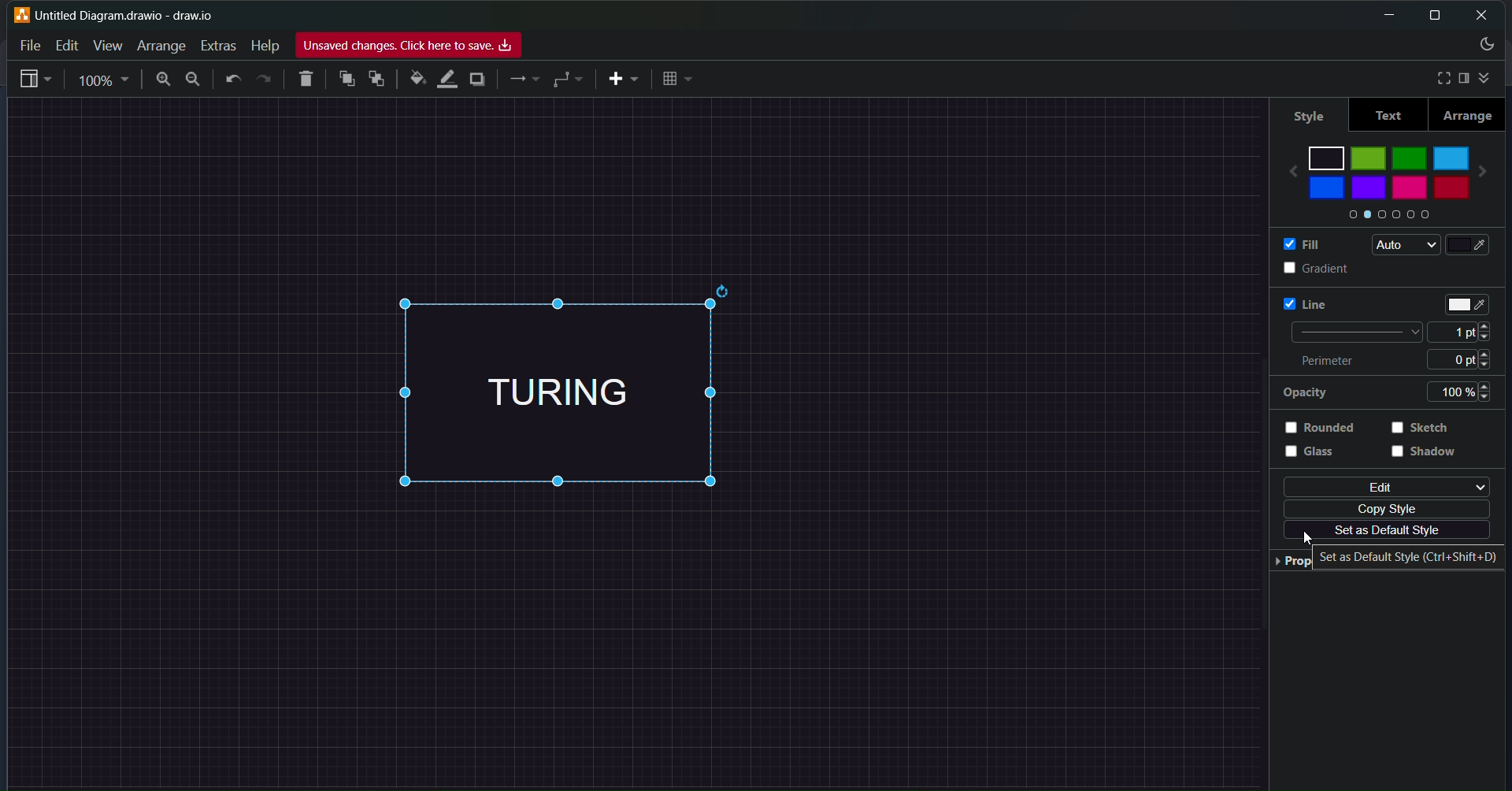  I want to click on text color, so click(1469, 300).